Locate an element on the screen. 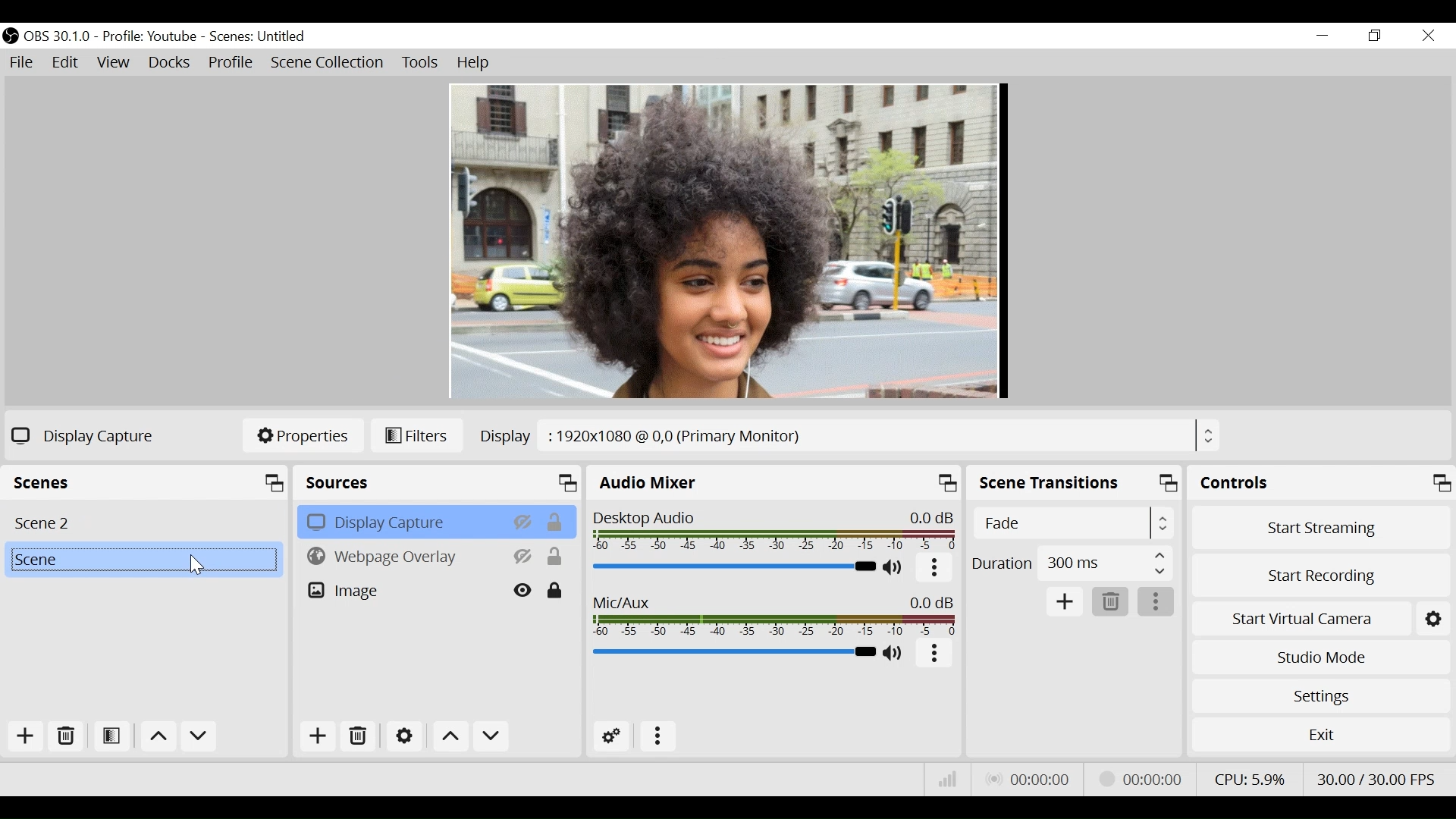  Desktop Audio Slider is located at coordinates (735, 568).